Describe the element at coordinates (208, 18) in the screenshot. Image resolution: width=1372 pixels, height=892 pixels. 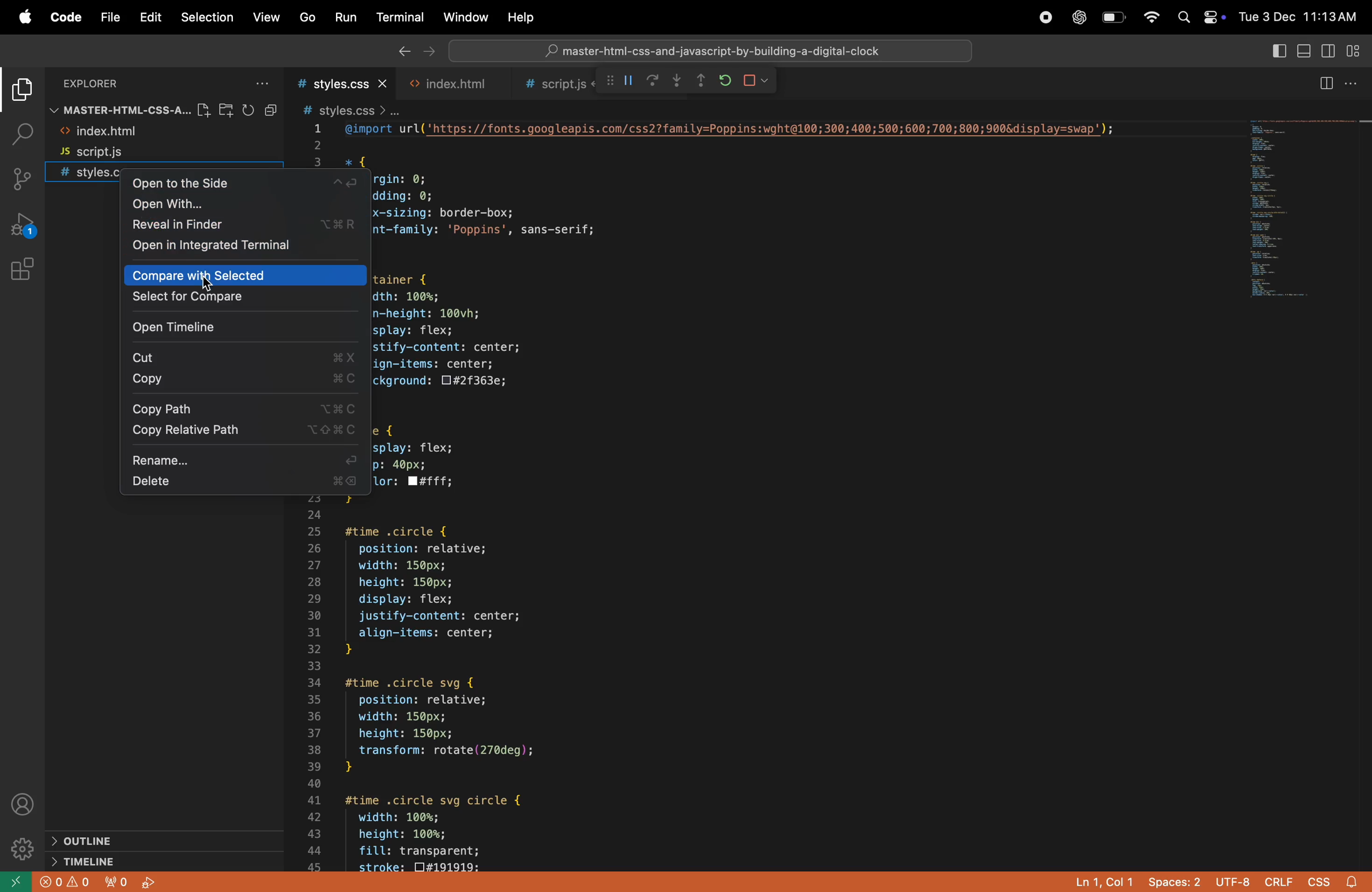
I see `selection` at that location.